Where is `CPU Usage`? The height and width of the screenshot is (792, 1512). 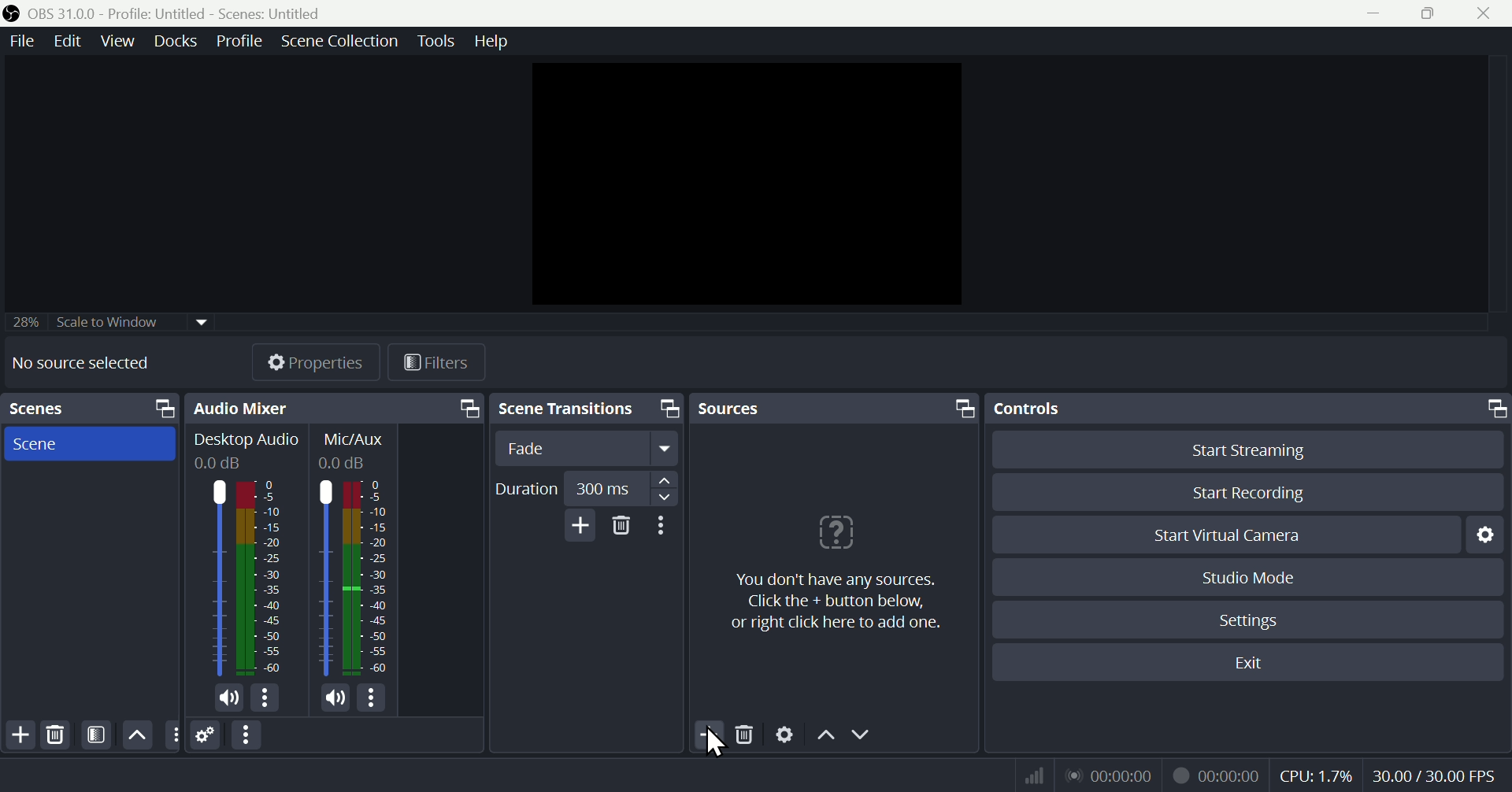
CPU Usage is located at coordinates (1317, 776).